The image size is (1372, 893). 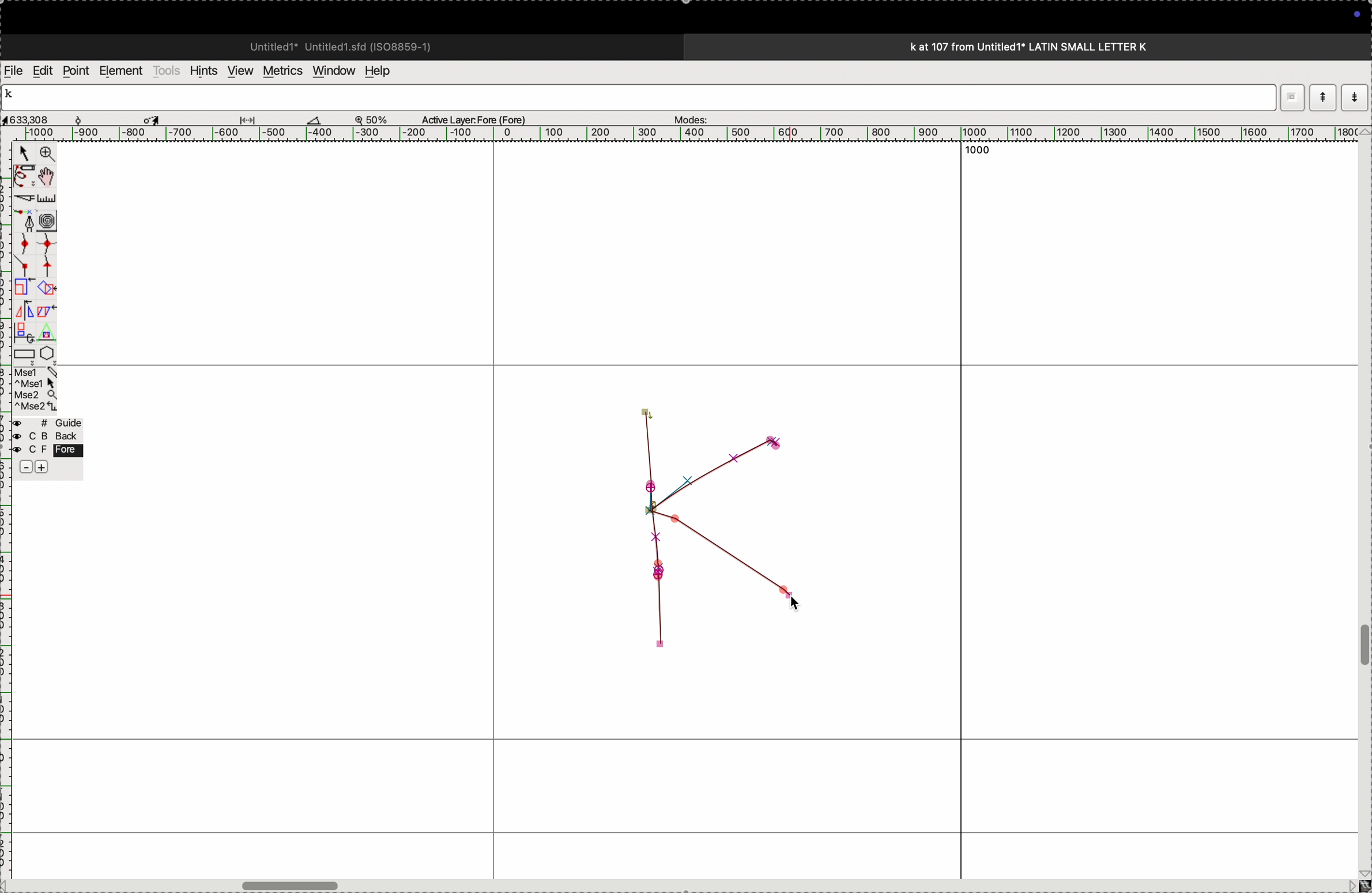 I want to click on pen, so click(x=24, y=176).